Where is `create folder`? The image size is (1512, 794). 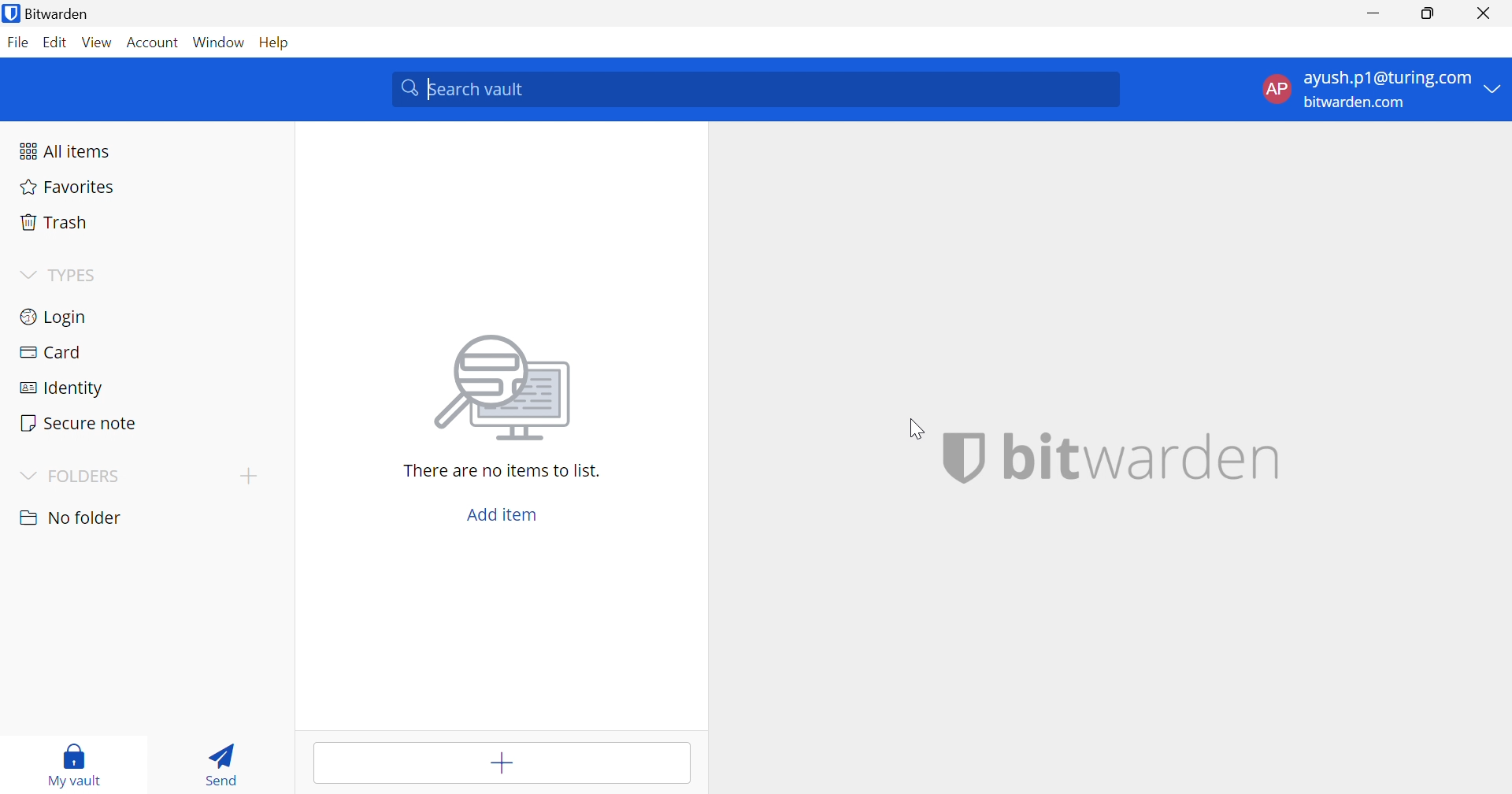 create folder is located at coordinates (247, 475).